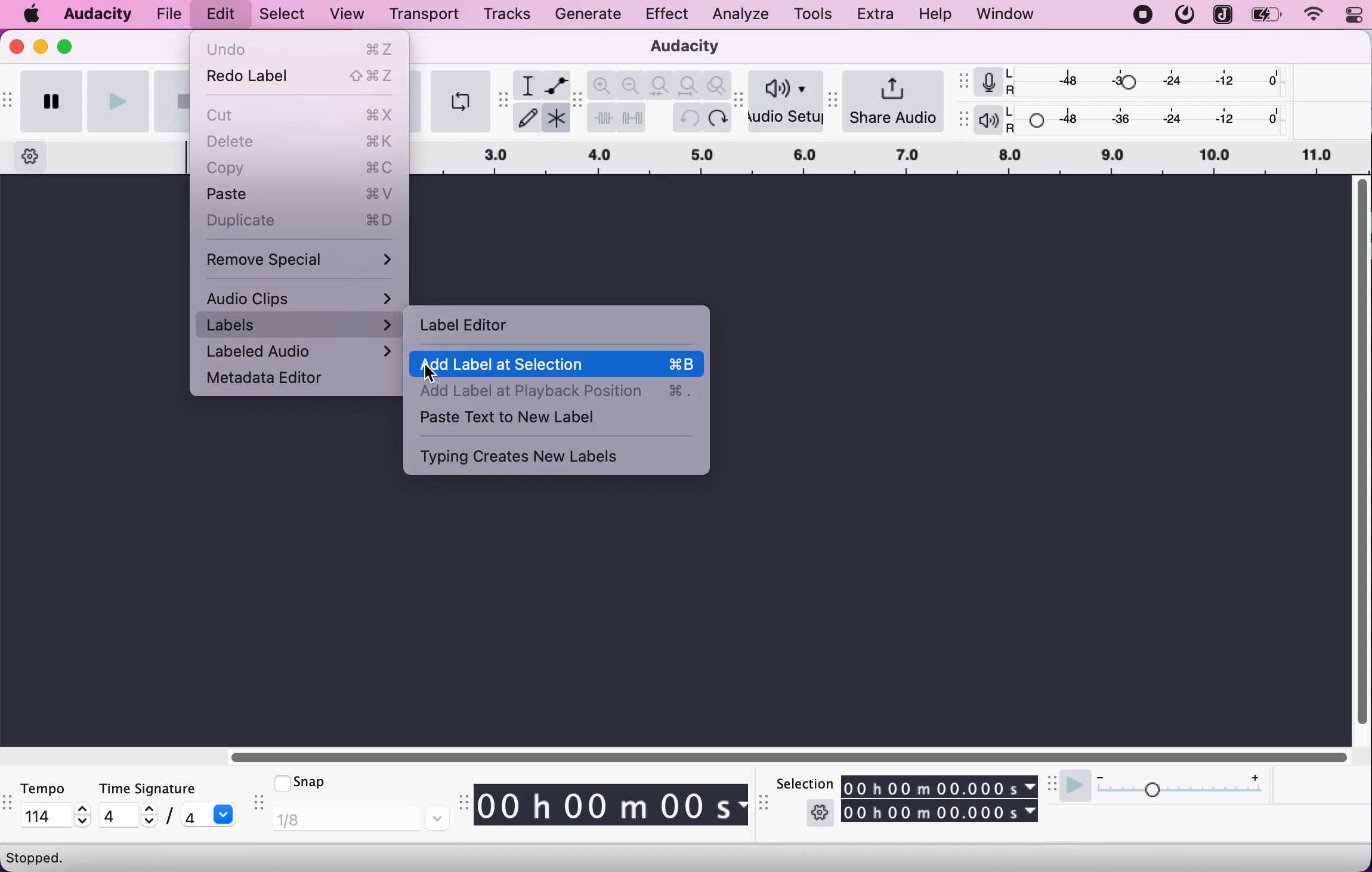 The height and width of the screenshot is (872, 1372). I want to click on settings, so click(820, 812).